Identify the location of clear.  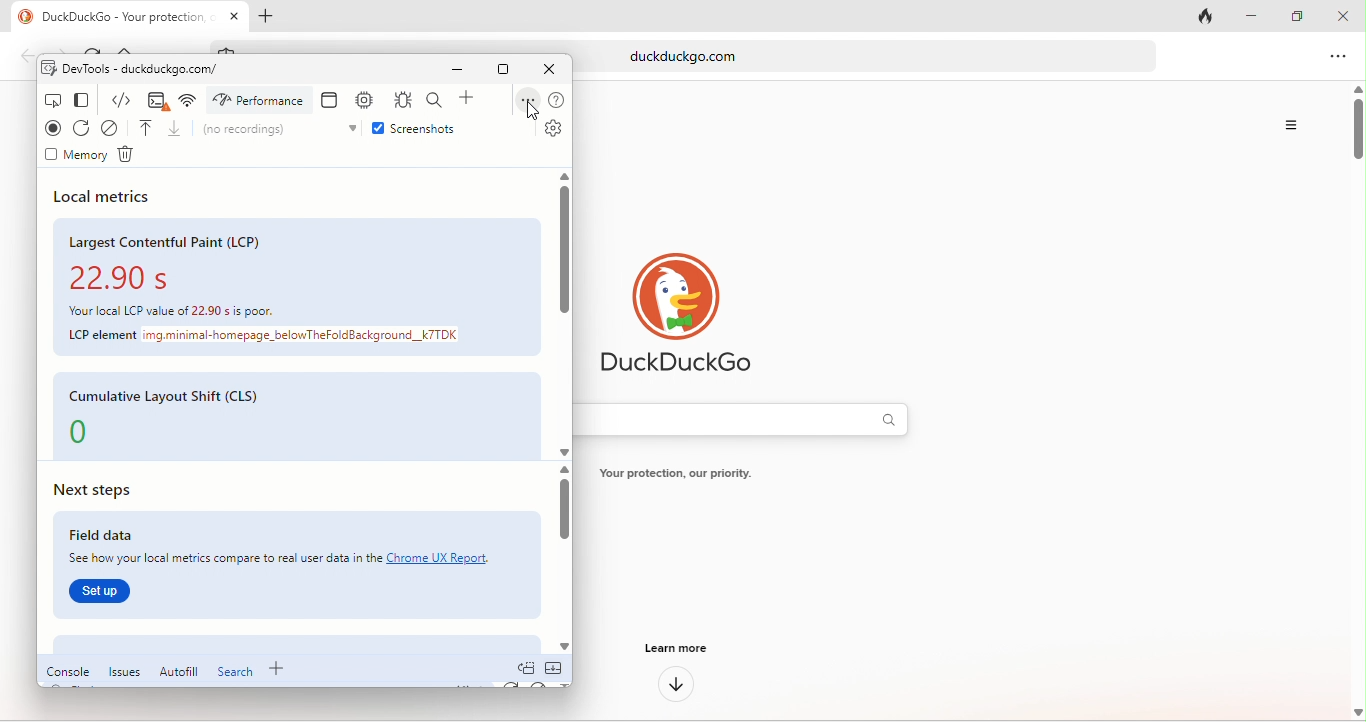
(113, 128).